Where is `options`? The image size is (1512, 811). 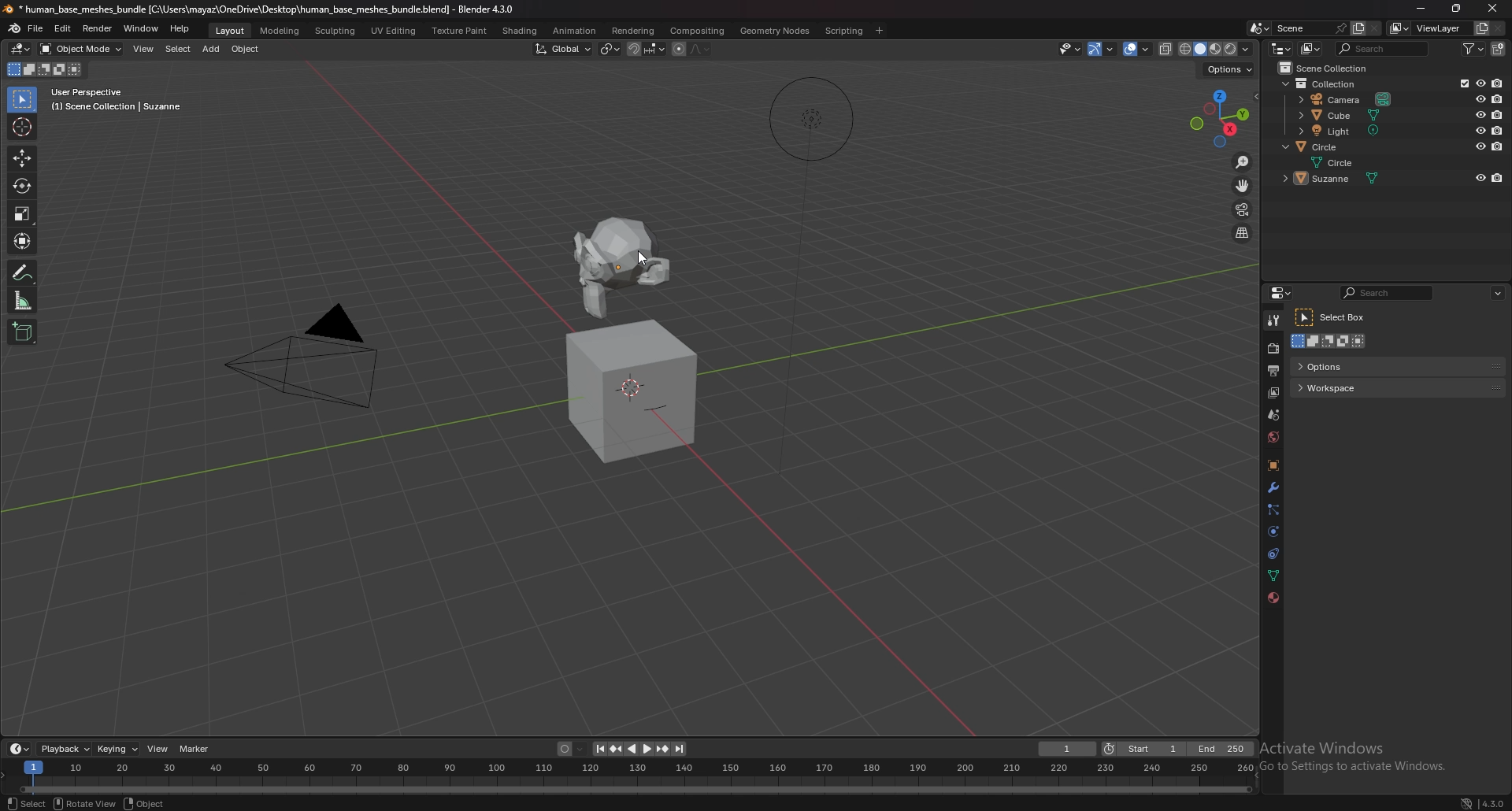 options is located at coordinates (1499, 292).